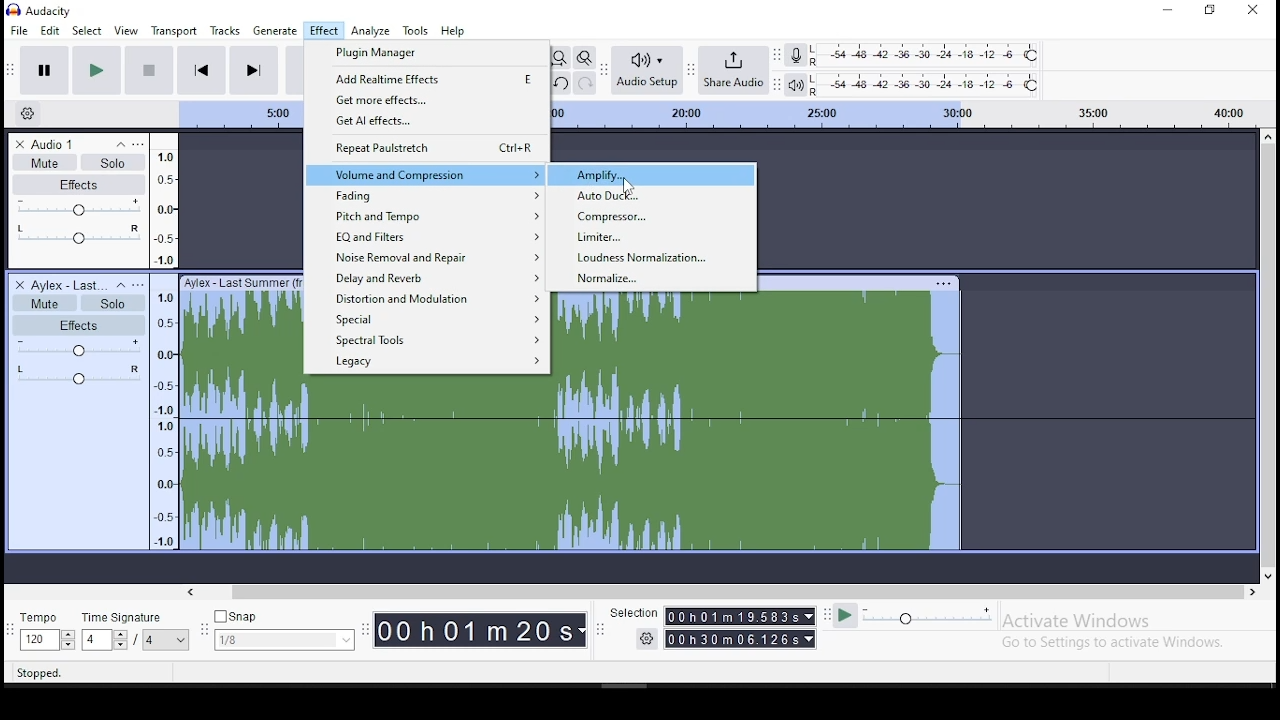 The image size is (1280, 720). What do you see at coordinates (574, 467) in the screenshot?
I see `audio track` at bounding box center [574, 467].